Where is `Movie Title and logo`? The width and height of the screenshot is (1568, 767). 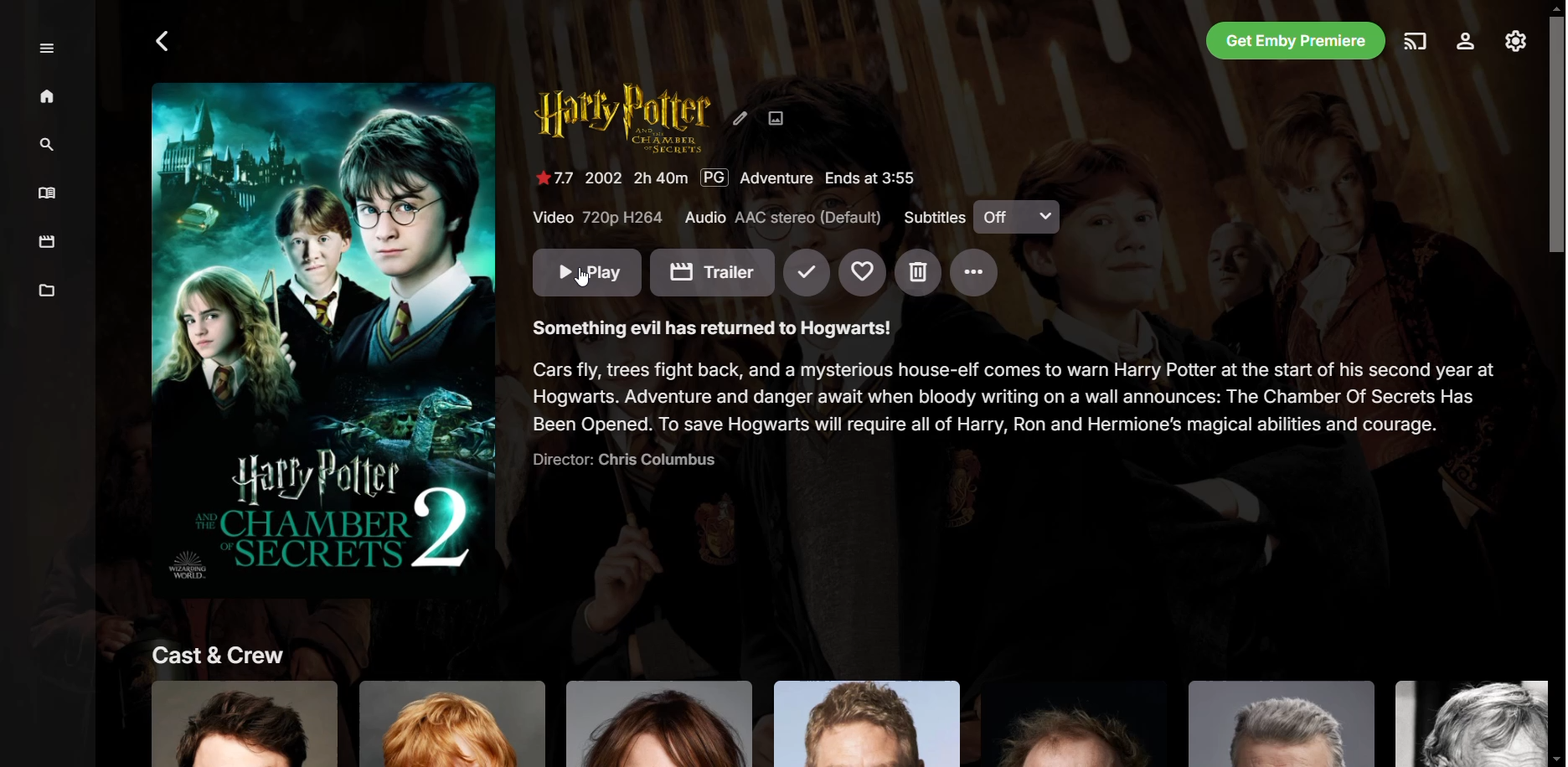 Movie Title and logo is located at coordinates (625, 121).